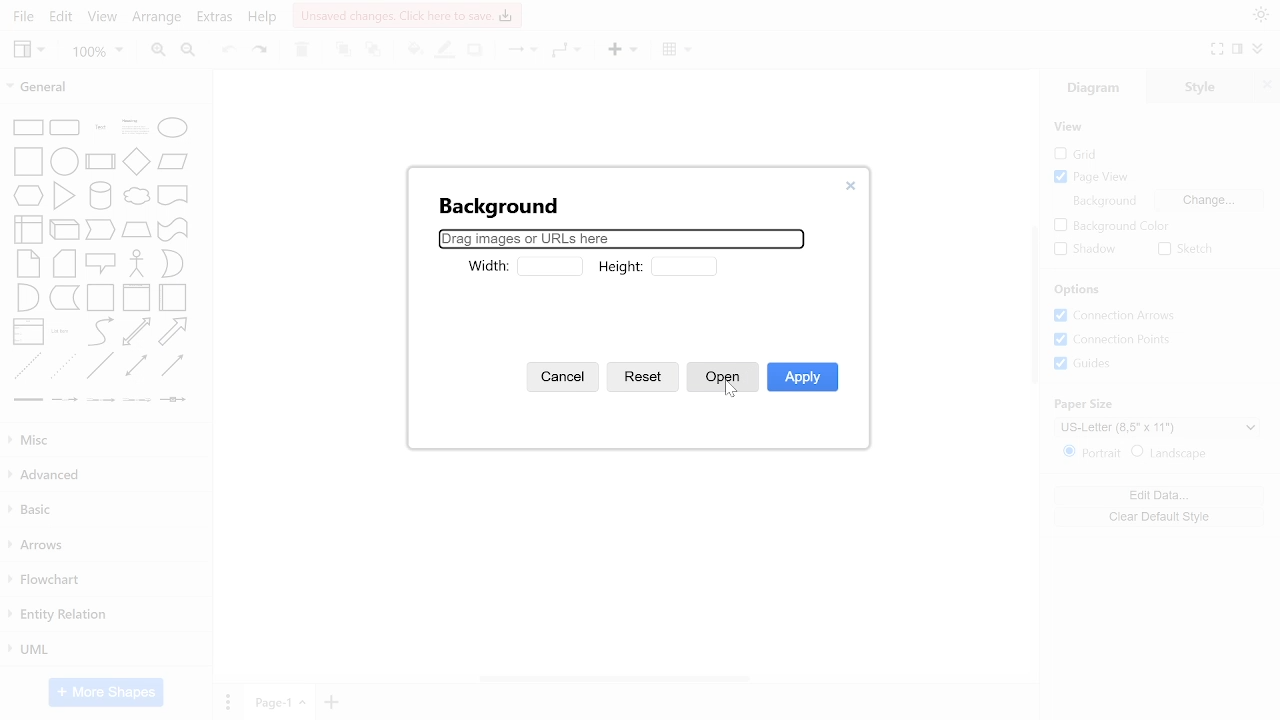  What do you see at coordinates (99, 332) in the screenshot?
I see `general shapes` at bounding box center [99, 332].